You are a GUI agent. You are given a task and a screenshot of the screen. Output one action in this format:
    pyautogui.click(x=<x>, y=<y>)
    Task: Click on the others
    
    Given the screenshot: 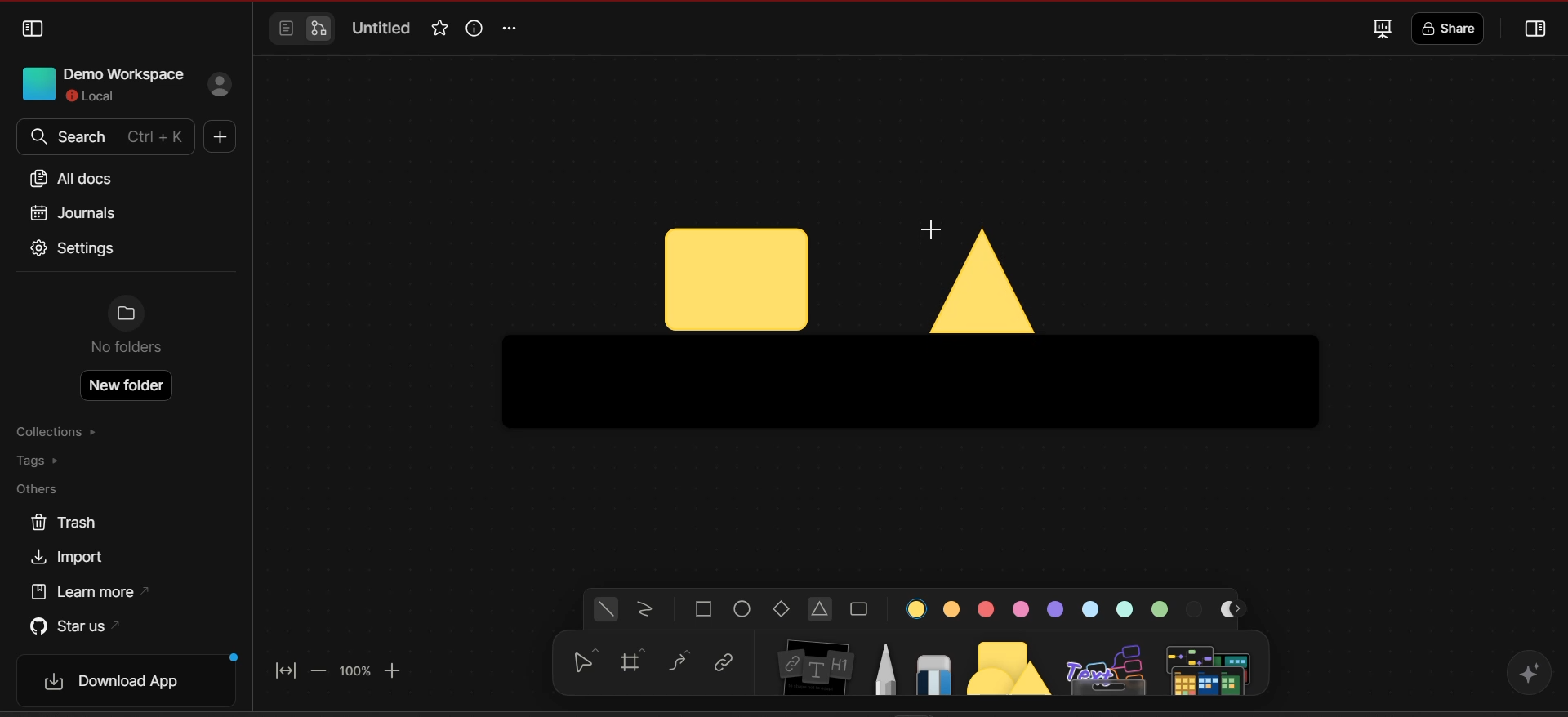 What is the action you would take?
    pyautogui.click(x=45, y=490)
    